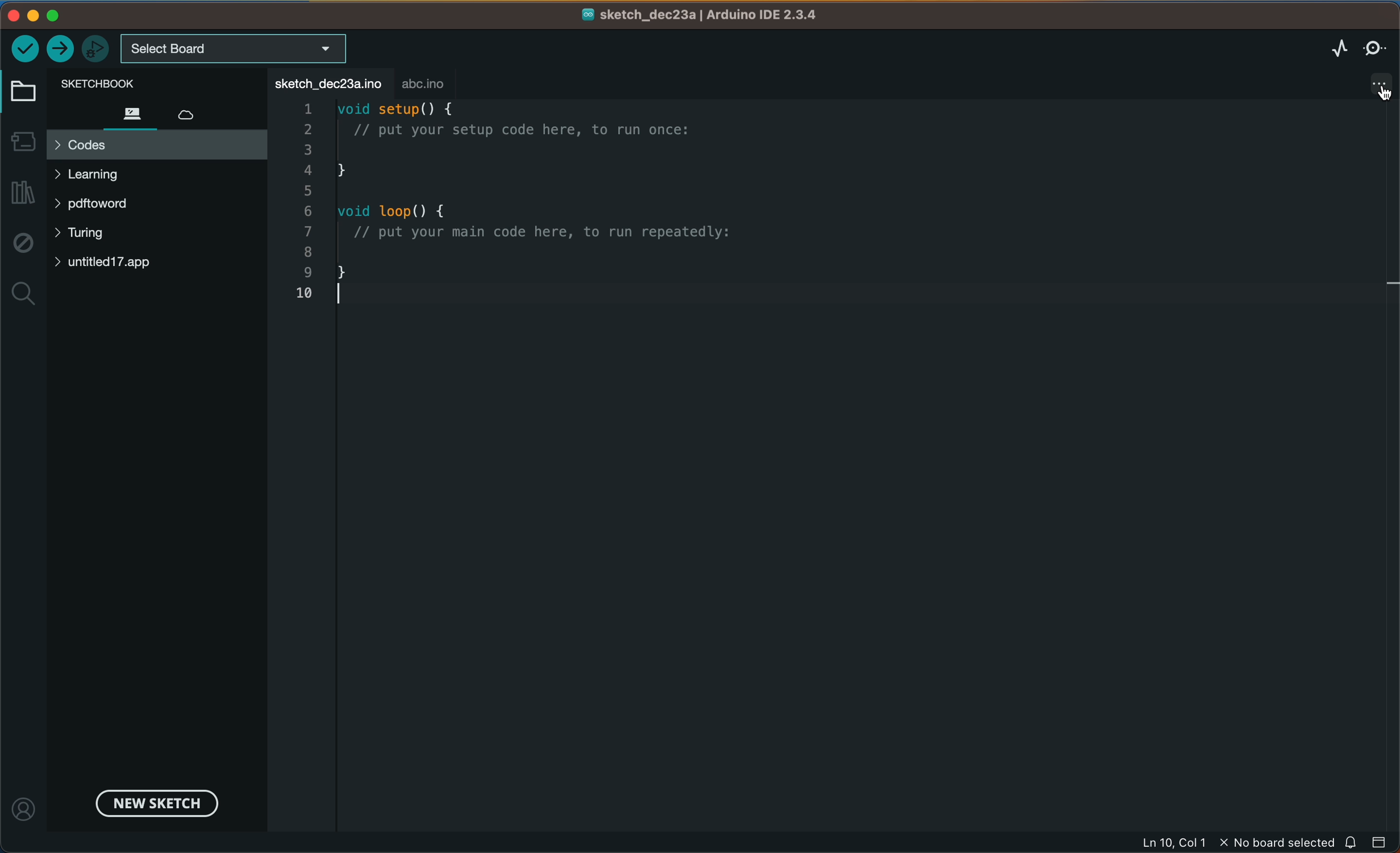 The width and height of the screenshot is (1400, 853). What do you see at coordinates (105, 203) in the screenshot?
I see `pdftoword` at bounding box center [105, 203].